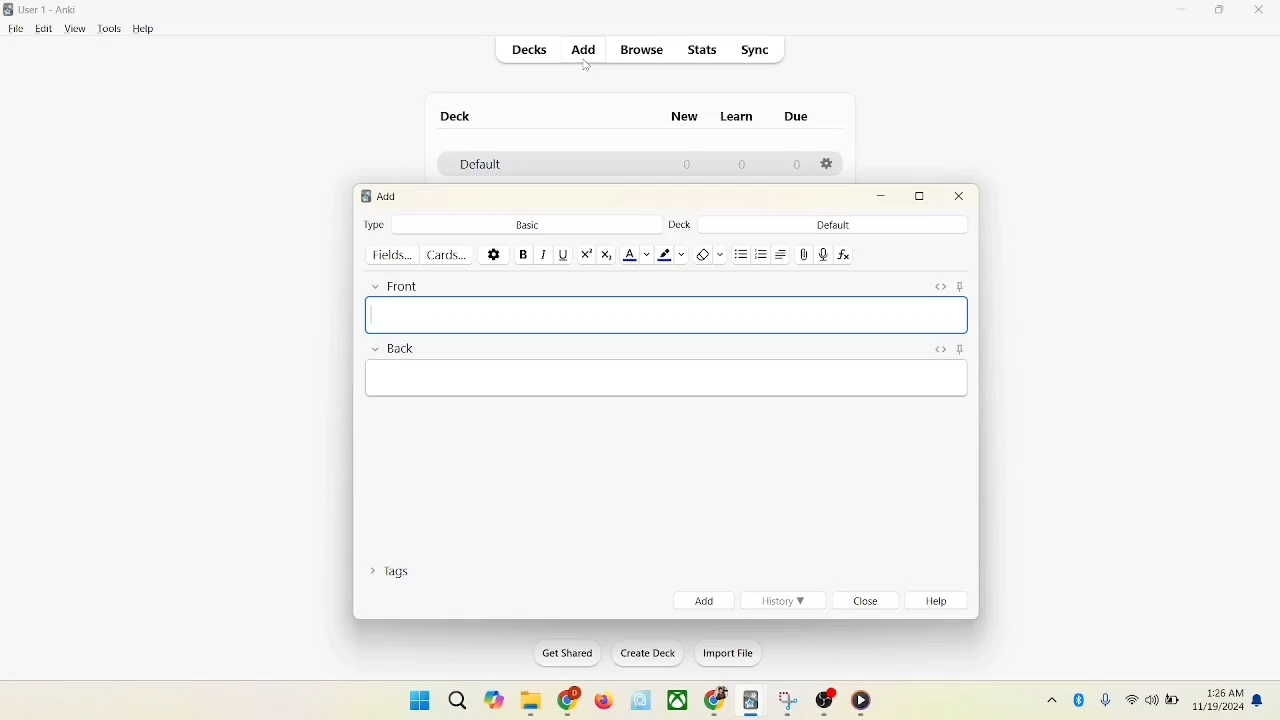 The width and height of the screenshot is (1280, 720). Describe the element at coordinates (451, 255) in the screenshot. I see `cards` at that location.